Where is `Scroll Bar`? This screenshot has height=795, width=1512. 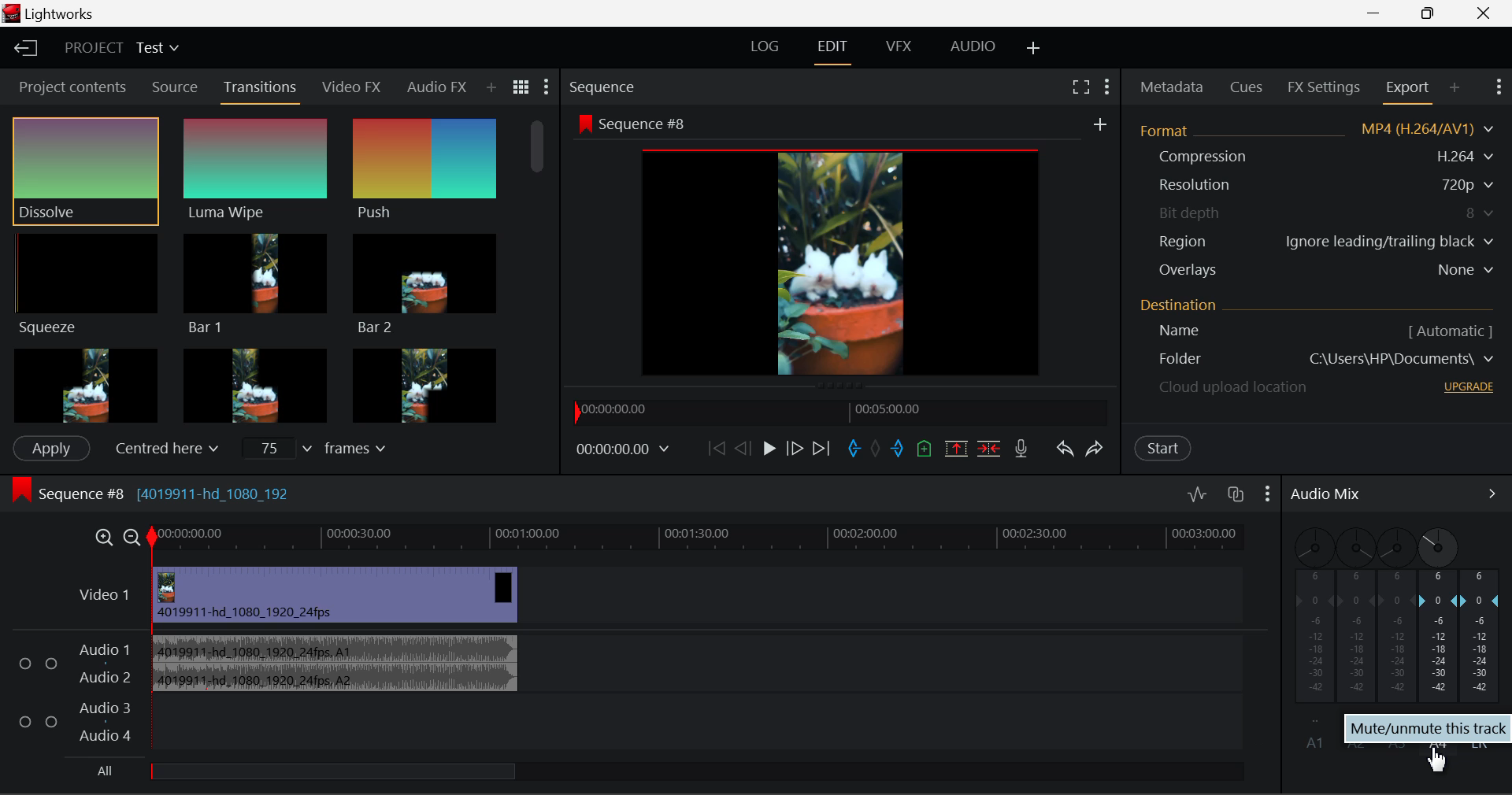
Scroll Bar is located at coordinates (535, 269).